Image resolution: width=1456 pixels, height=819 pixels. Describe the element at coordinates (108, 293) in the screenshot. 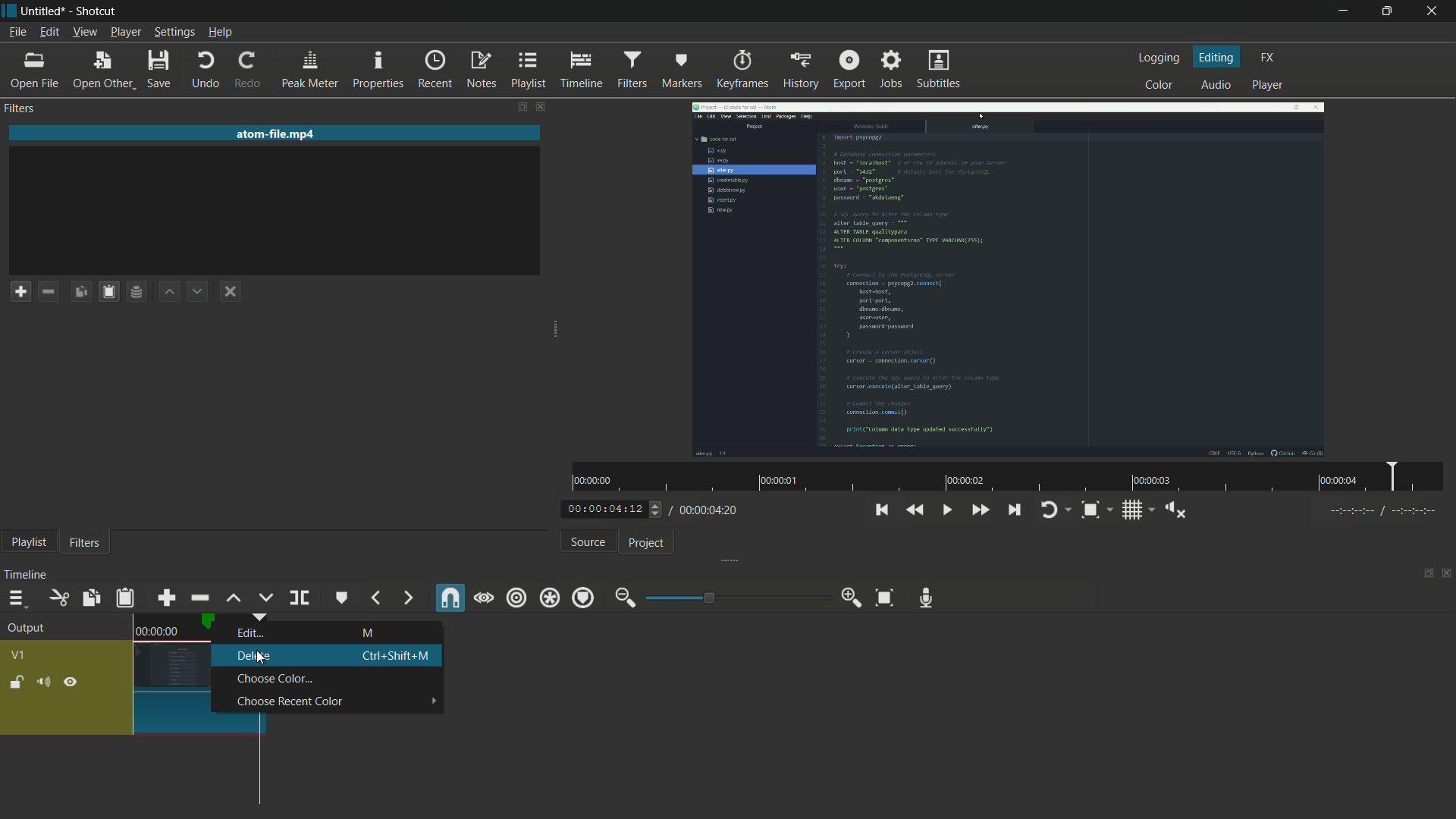

I see `paste` at that location.